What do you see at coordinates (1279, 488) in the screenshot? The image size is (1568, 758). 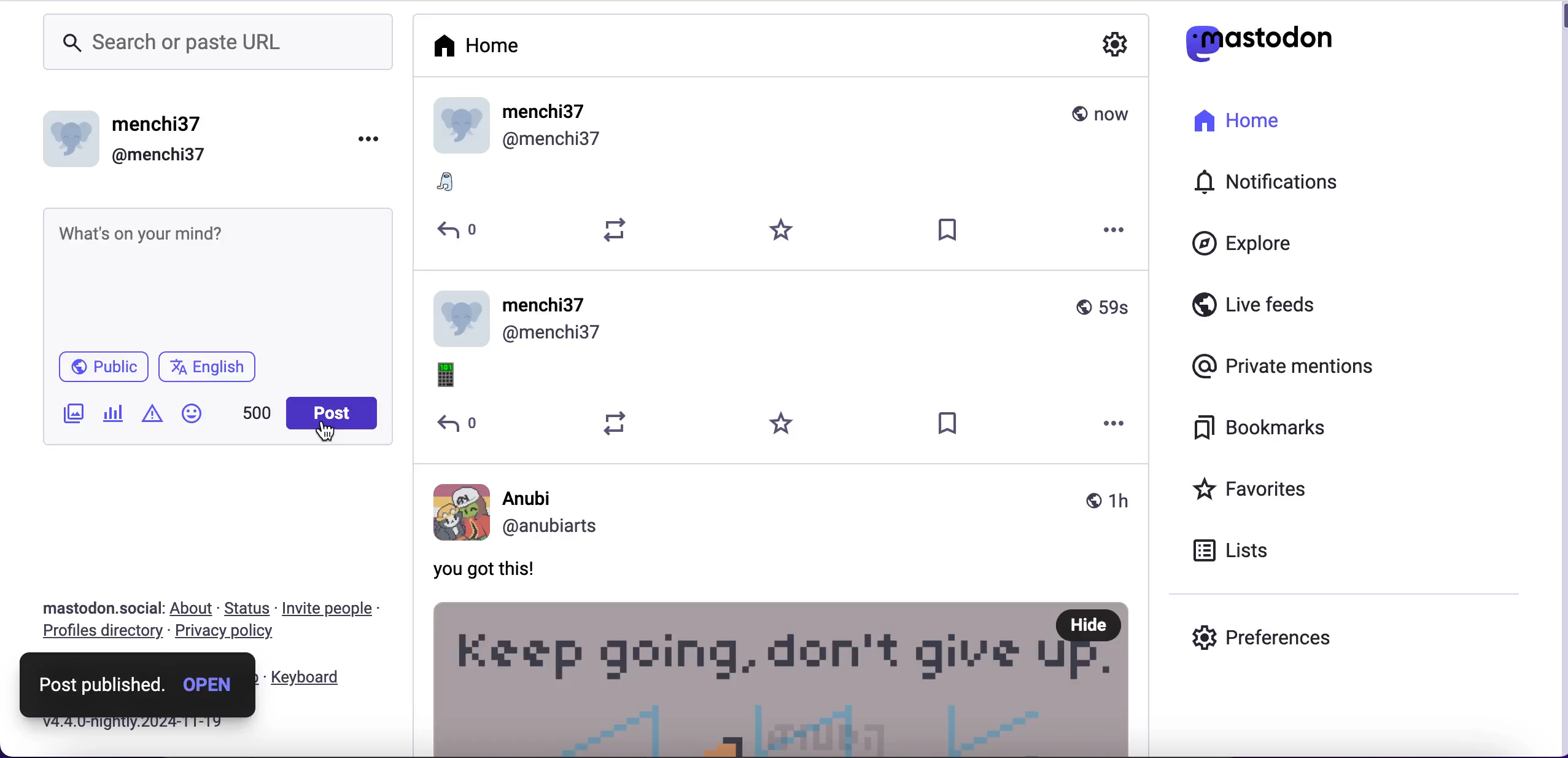 I see `favorites` at bounding box center [1279, 488].